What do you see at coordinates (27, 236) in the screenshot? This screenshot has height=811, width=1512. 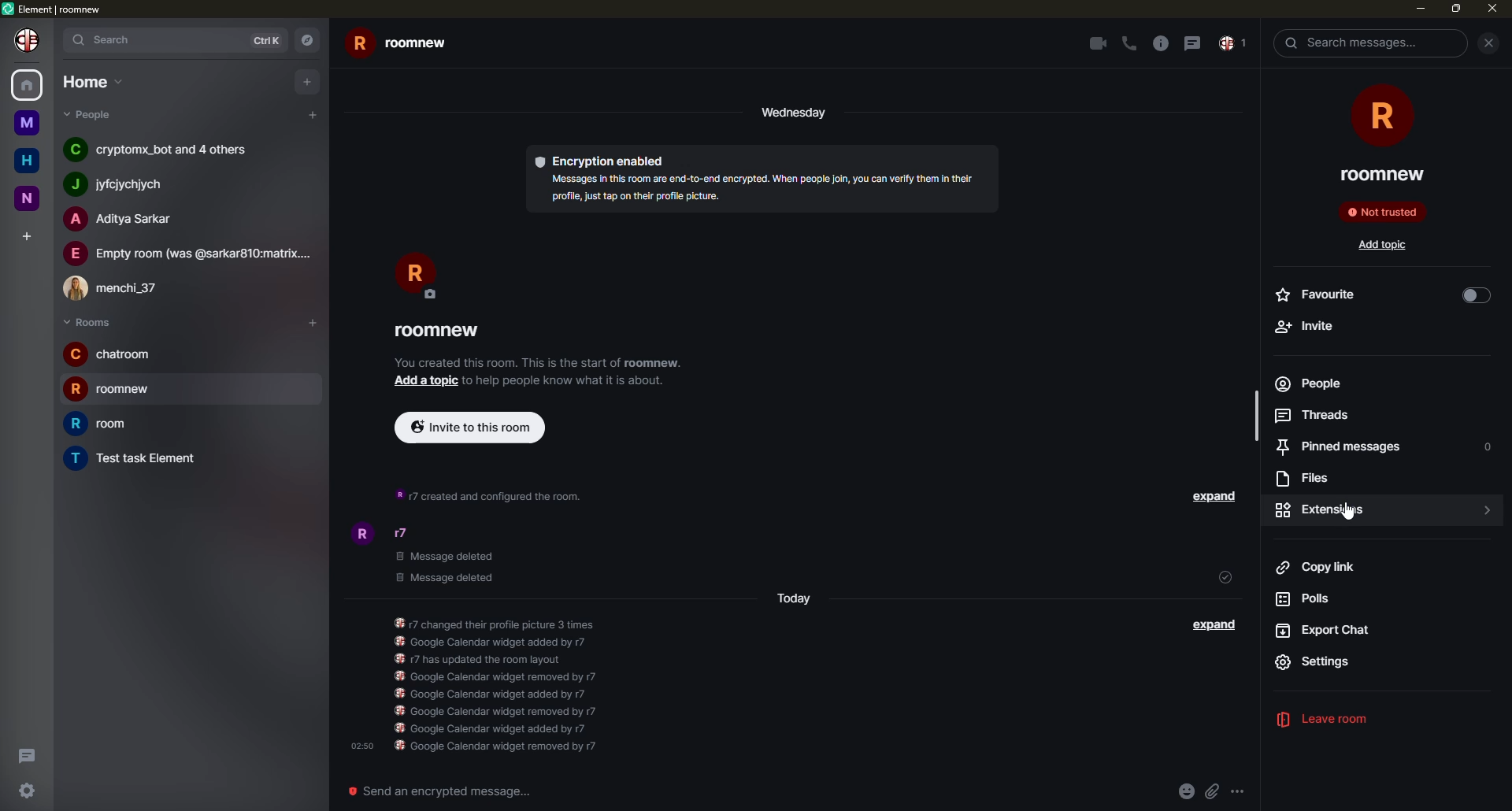 I see `add` at bounding box center [27, 236].